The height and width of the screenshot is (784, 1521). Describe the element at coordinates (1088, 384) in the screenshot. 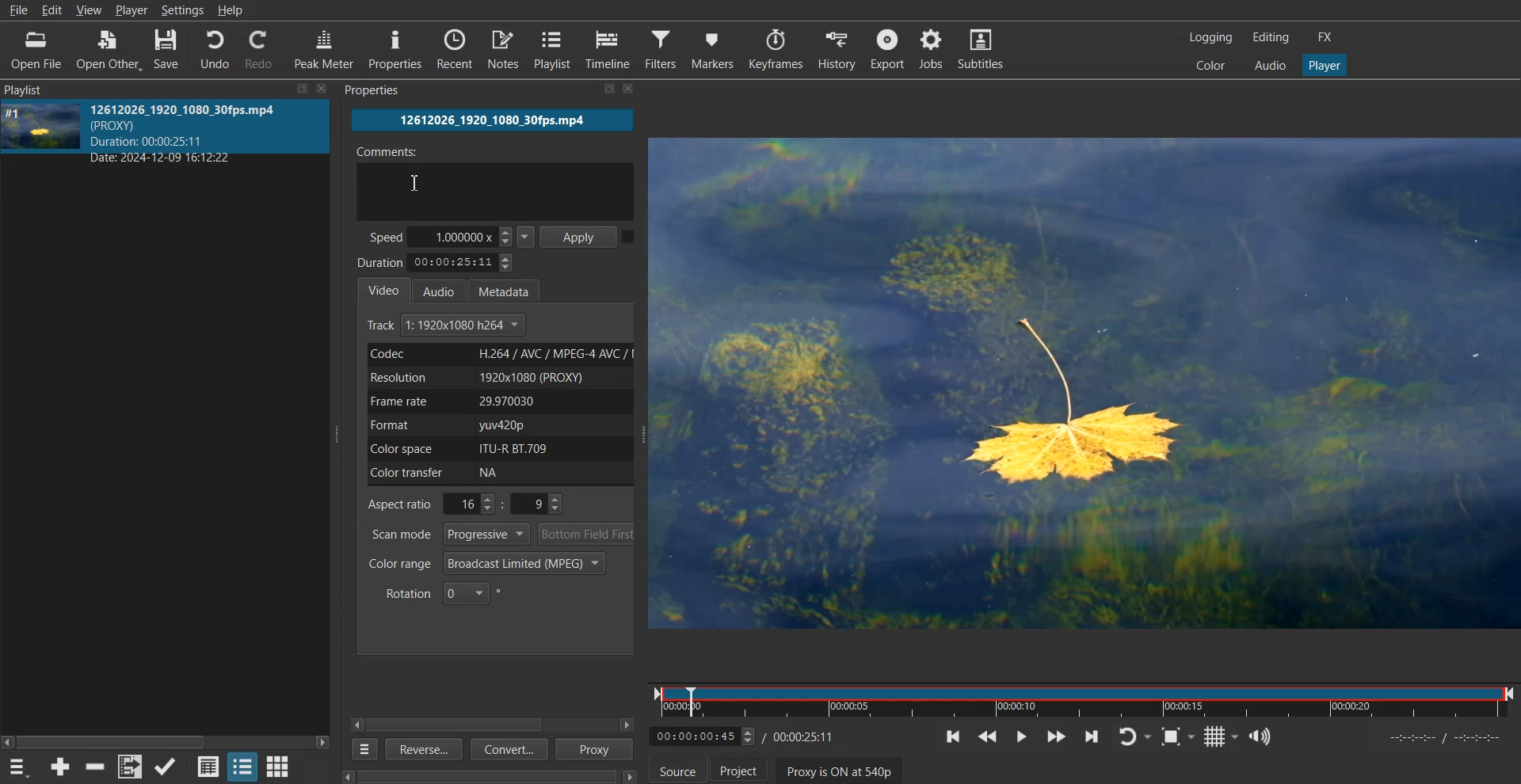

I see `Preview` at that location.